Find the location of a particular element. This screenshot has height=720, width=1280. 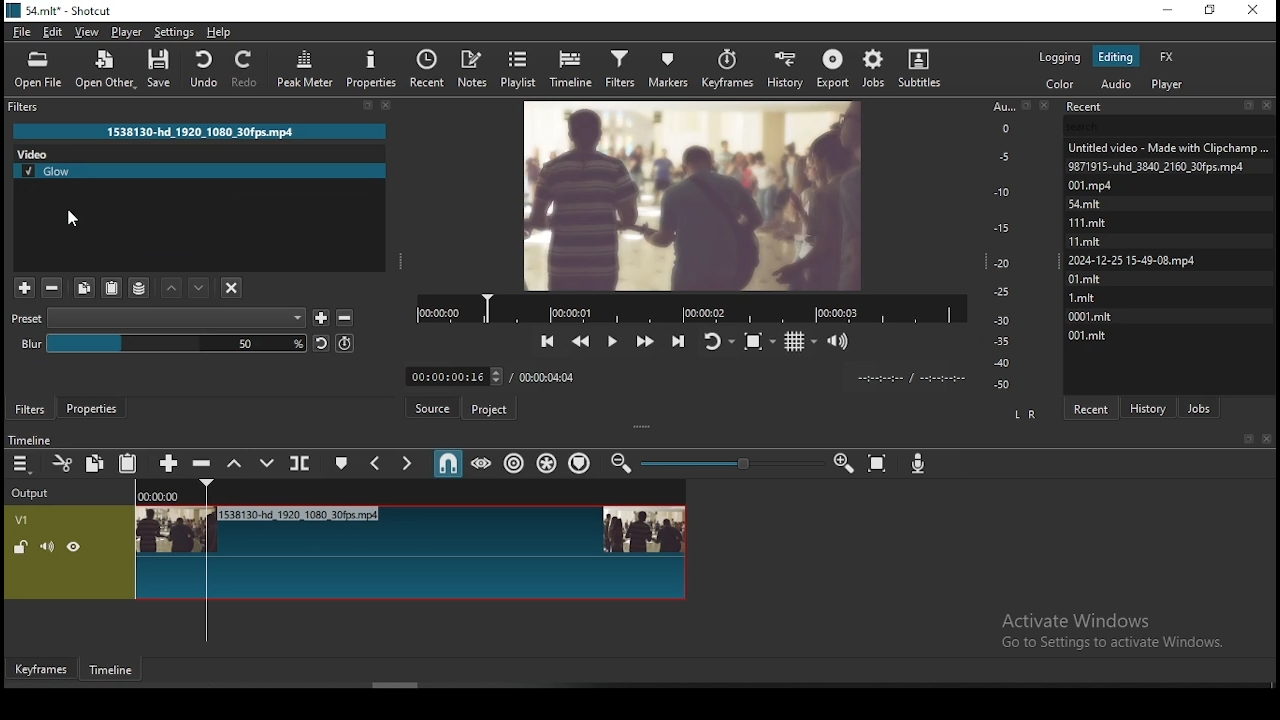

total time is located at coordinates (548, 376).